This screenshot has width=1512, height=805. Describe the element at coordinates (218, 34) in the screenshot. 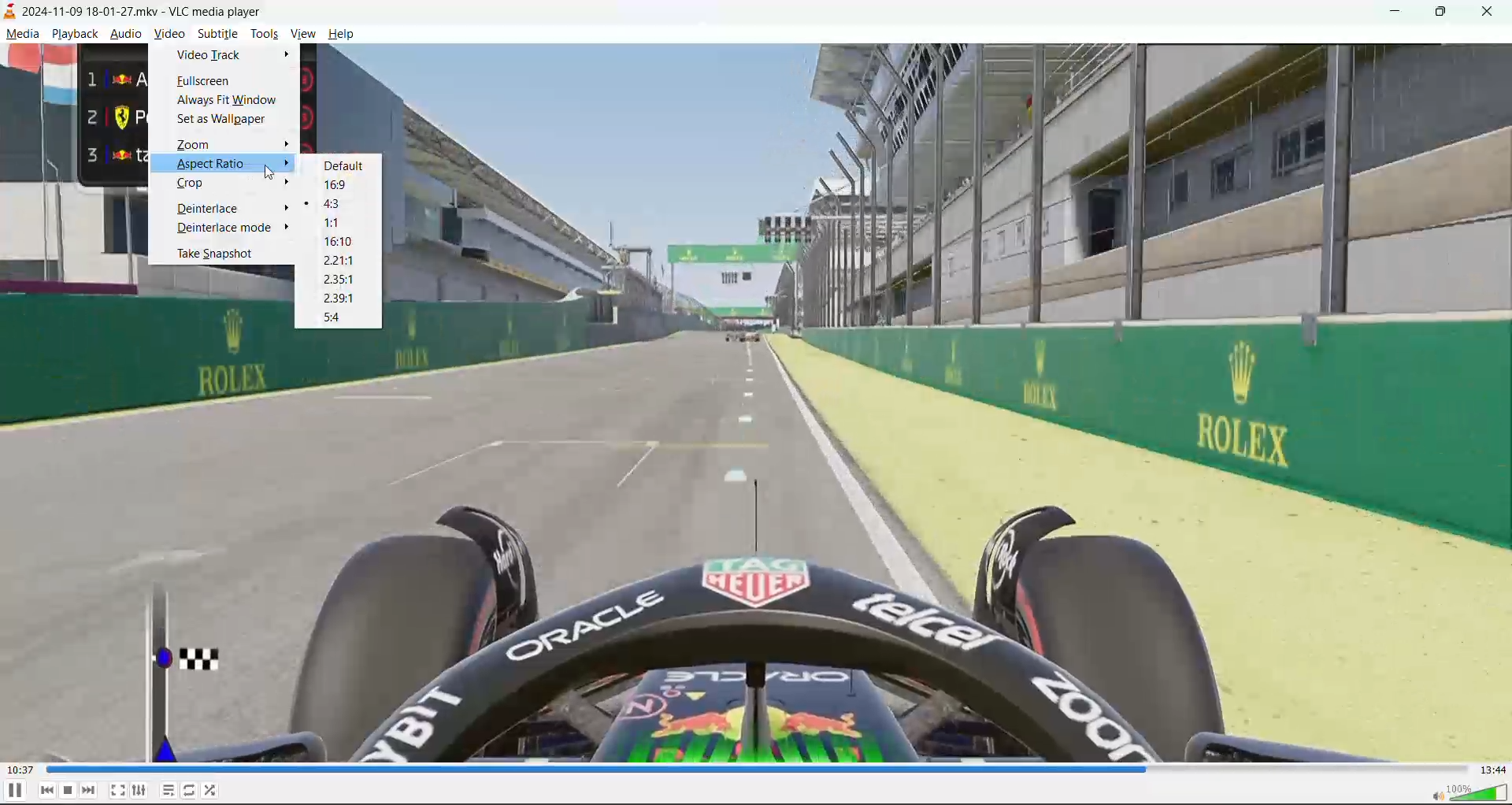

I see `subtitle` at that location.